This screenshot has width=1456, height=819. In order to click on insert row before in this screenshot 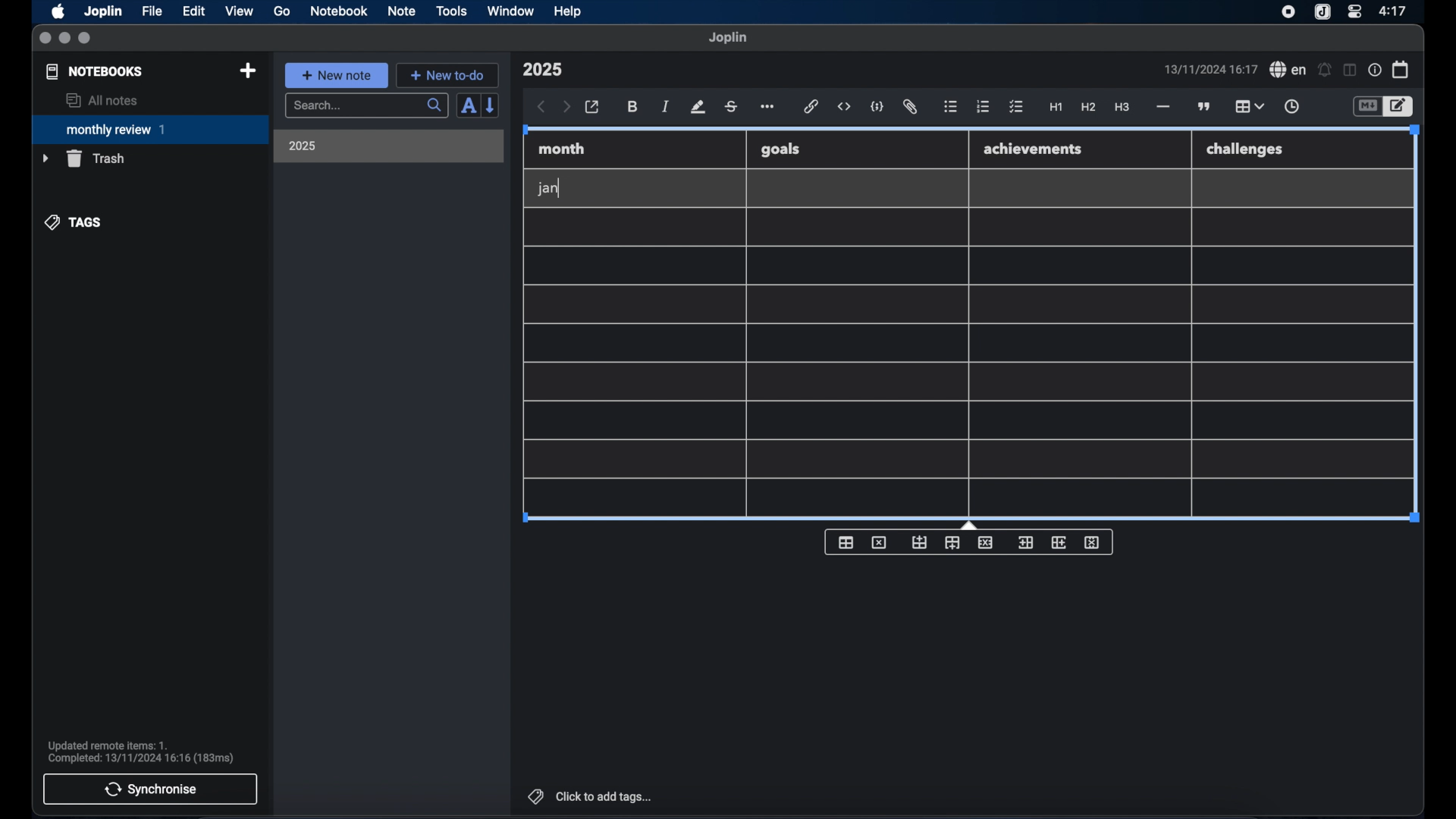, I will do `click(920, 543)`.